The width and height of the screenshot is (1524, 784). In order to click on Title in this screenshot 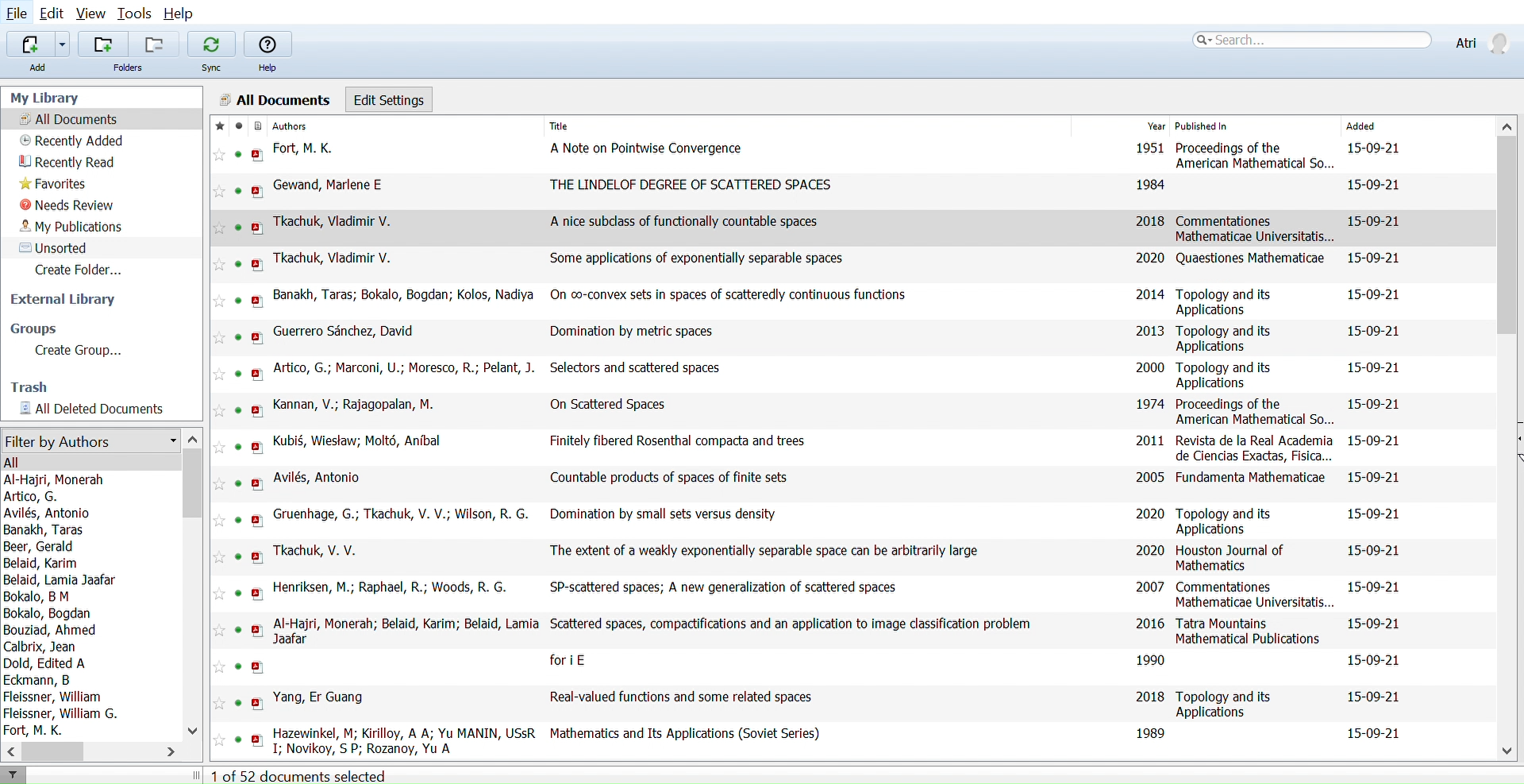, I will do `click(675, 125)`.